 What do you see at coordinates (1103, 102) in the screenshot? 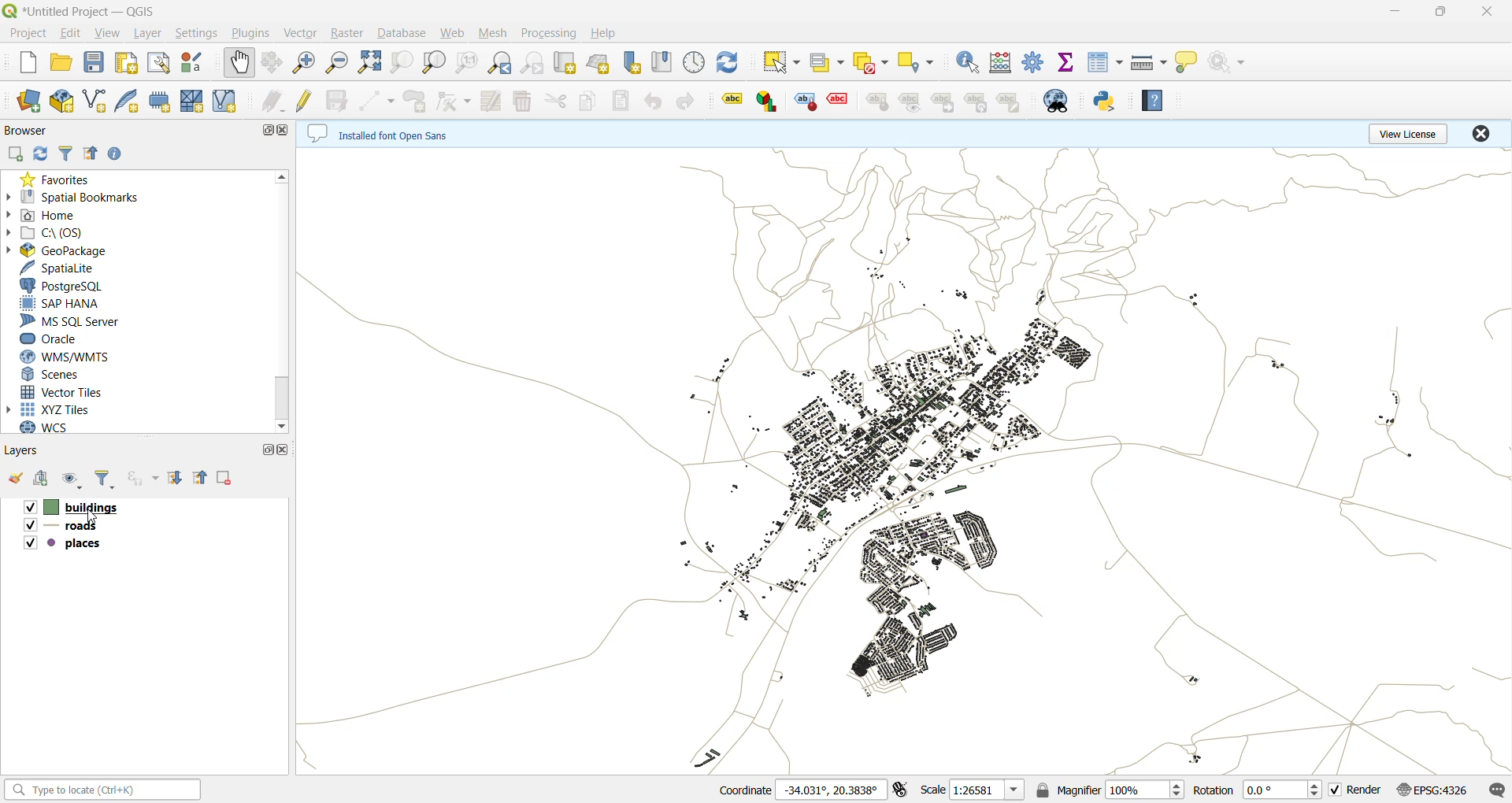
I see `python` at bounding box center [1103, 102].